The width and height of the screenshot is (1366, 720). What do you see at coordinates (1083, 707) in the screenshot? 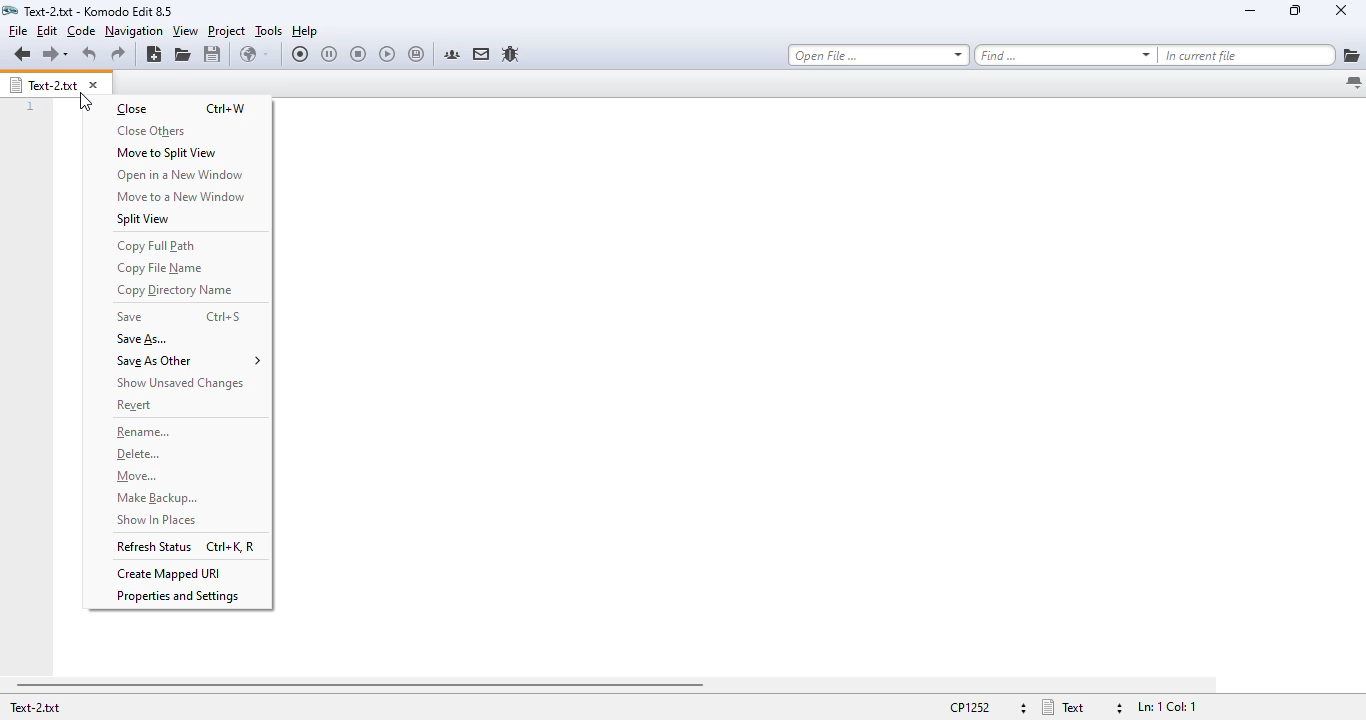
I see `file type` at bounding box center [1083, 707].